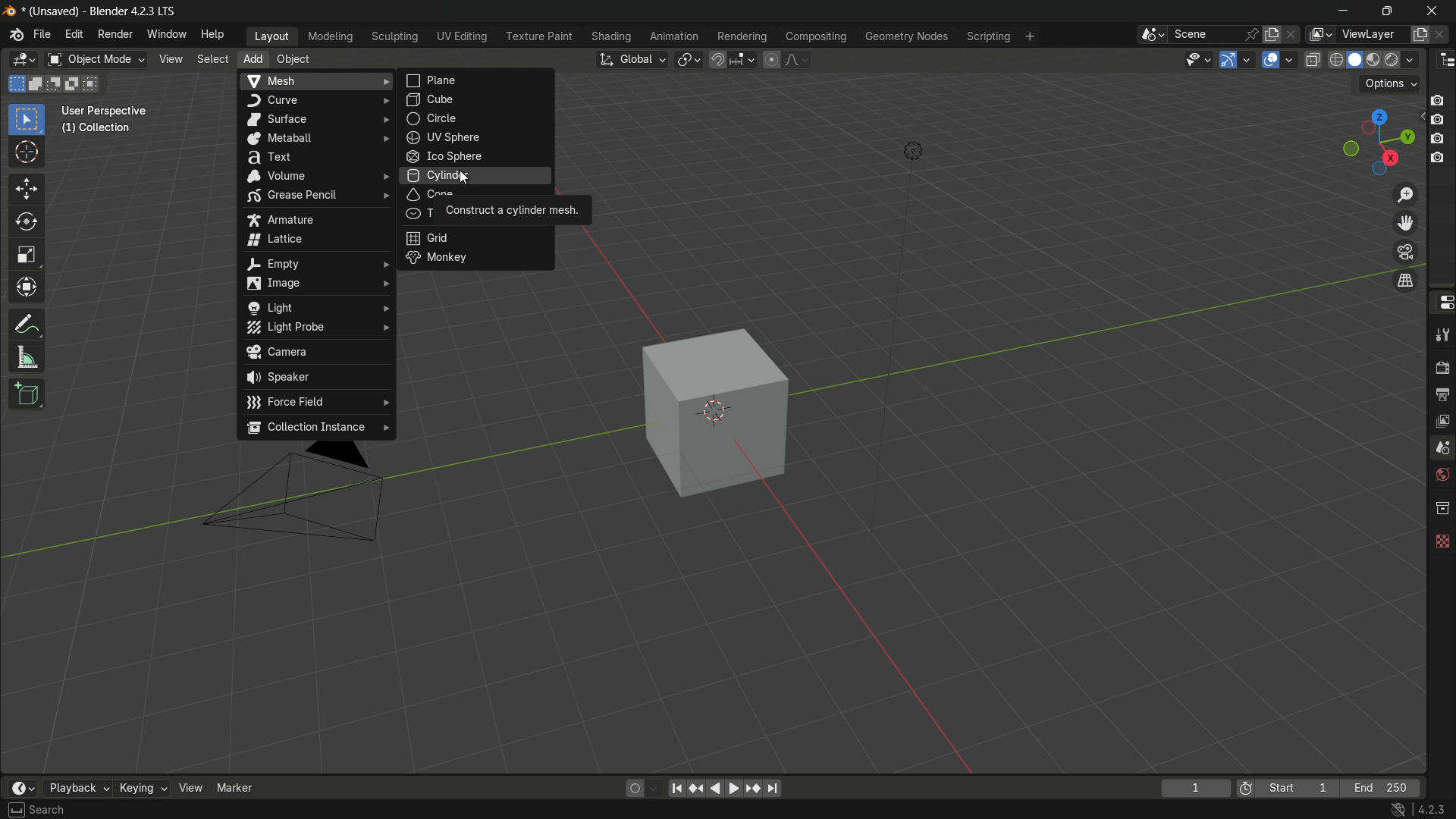 The height and width of the screenshot is (819, 1456). What do you see at coordinates (1386, 11) in the screenshot?
I see `maximize or restore` at bounding box center [1386, 11].